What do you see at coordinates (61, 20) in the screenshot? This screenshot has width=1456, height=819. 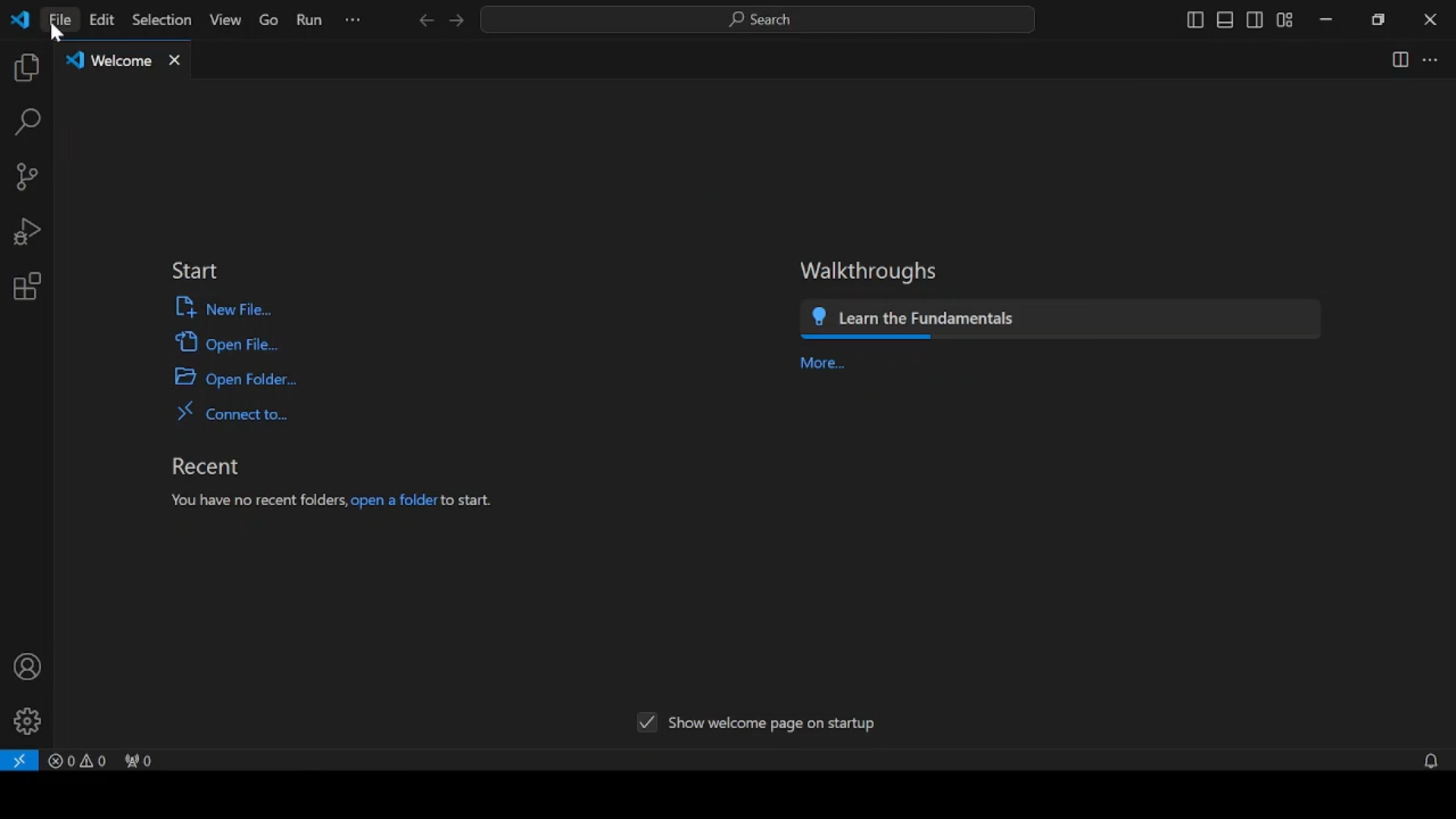 I see `file` at bounding box center [61, 20].